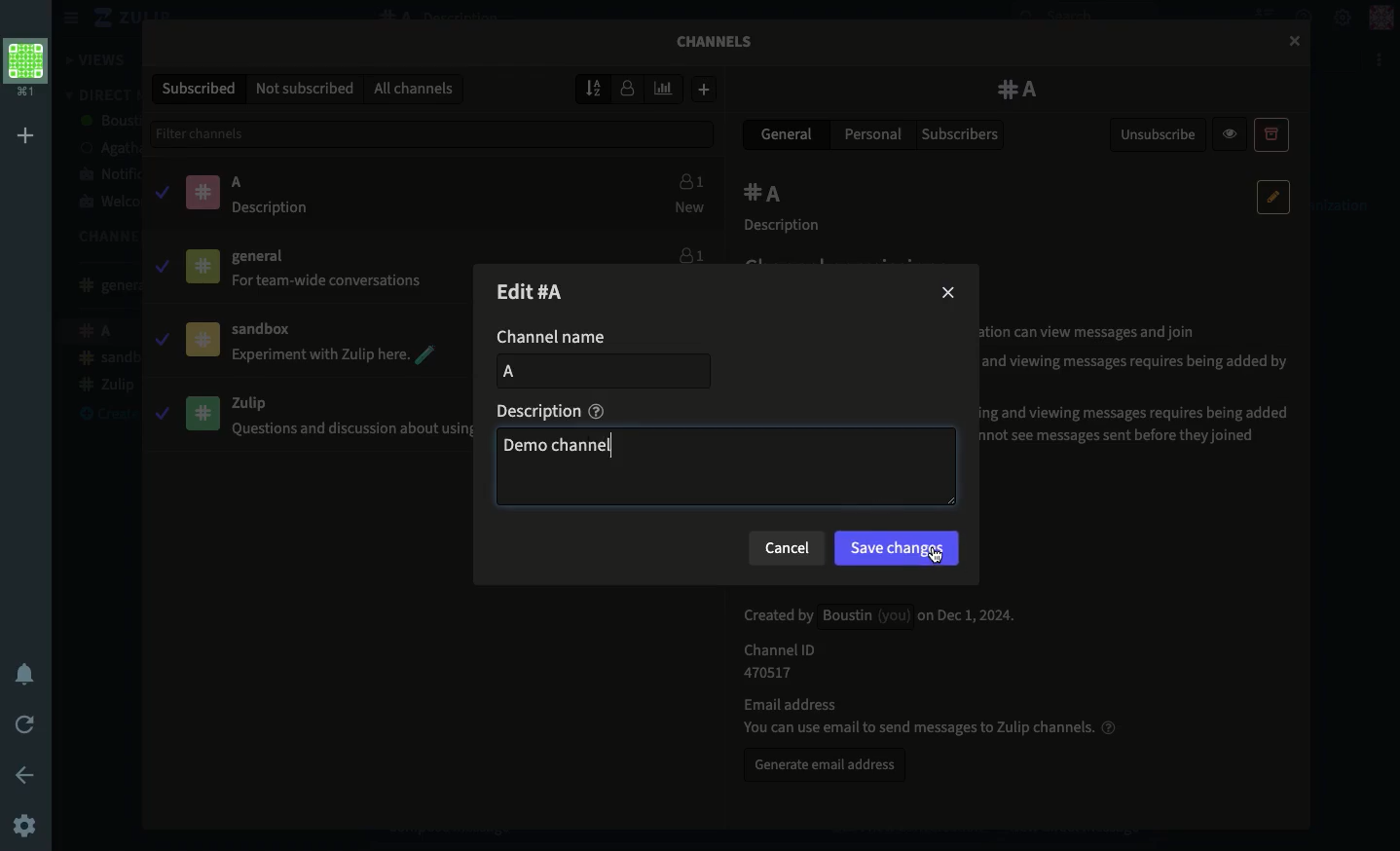 The height and width of the screenshot is (851, 1400). Describe the element at coordinates (1344, 16) in the screenshot. I see `Settings` at that location.